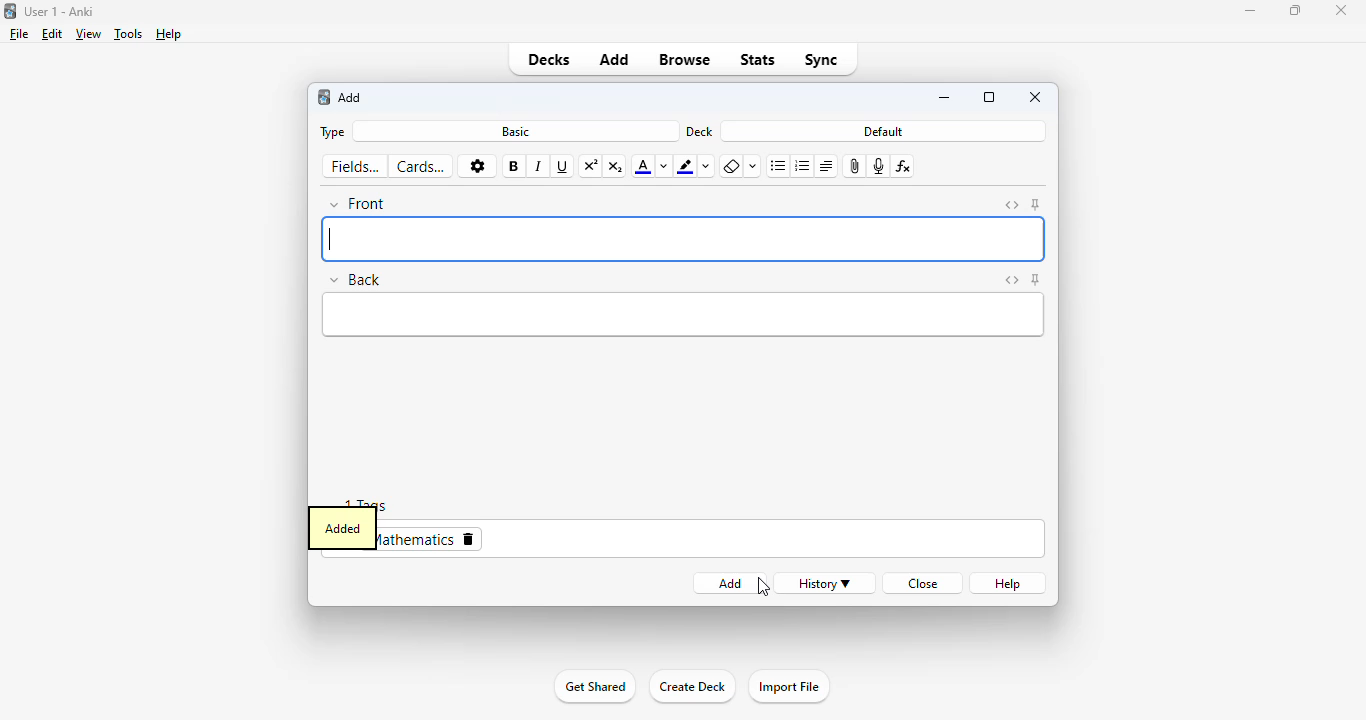 The width and height of the screenshot is (1366, 720). I want to click on minimize, so click(1249, 11).